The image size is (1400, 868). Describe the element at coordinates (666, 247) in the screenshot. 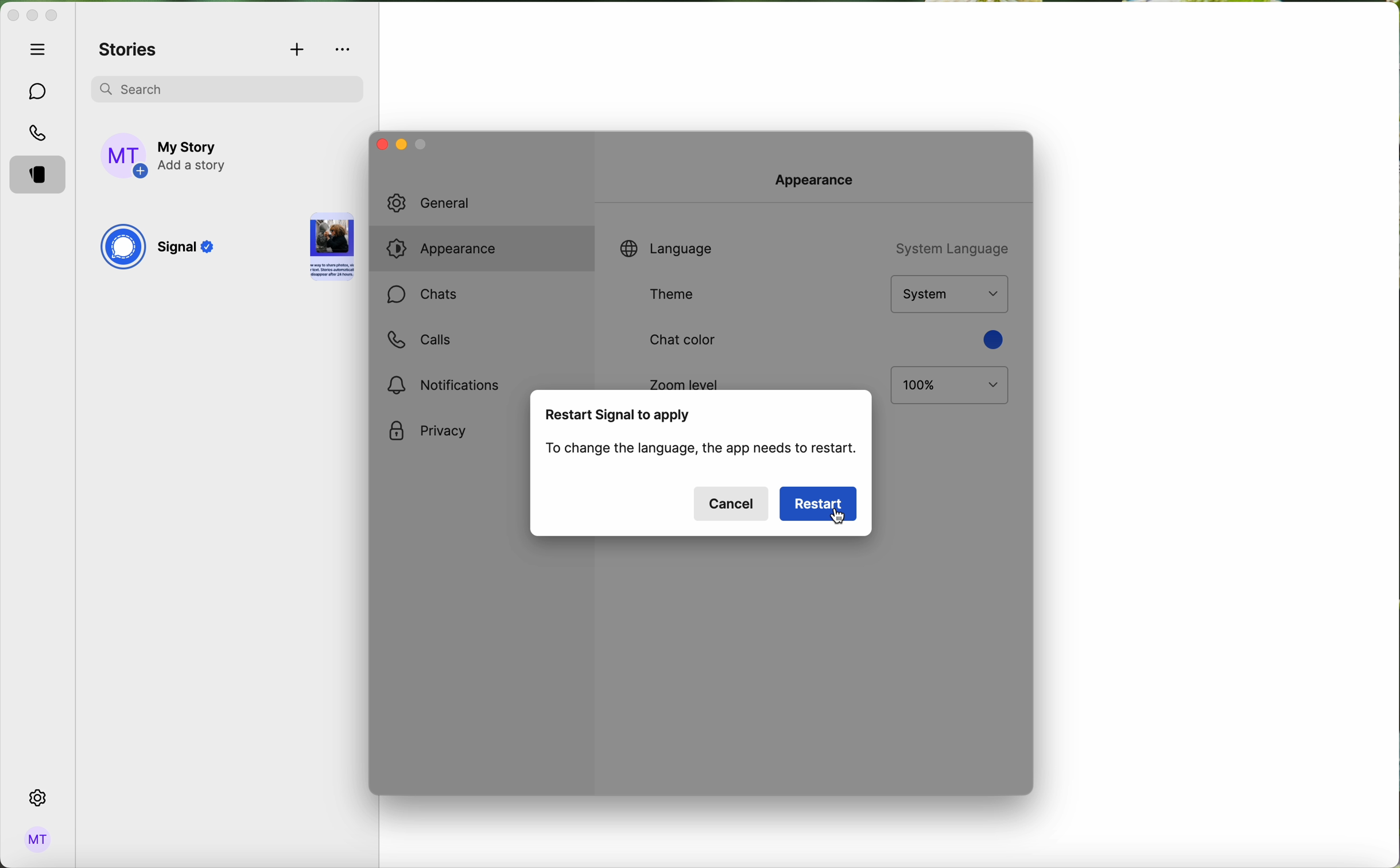

I see `@ Language` at that location.